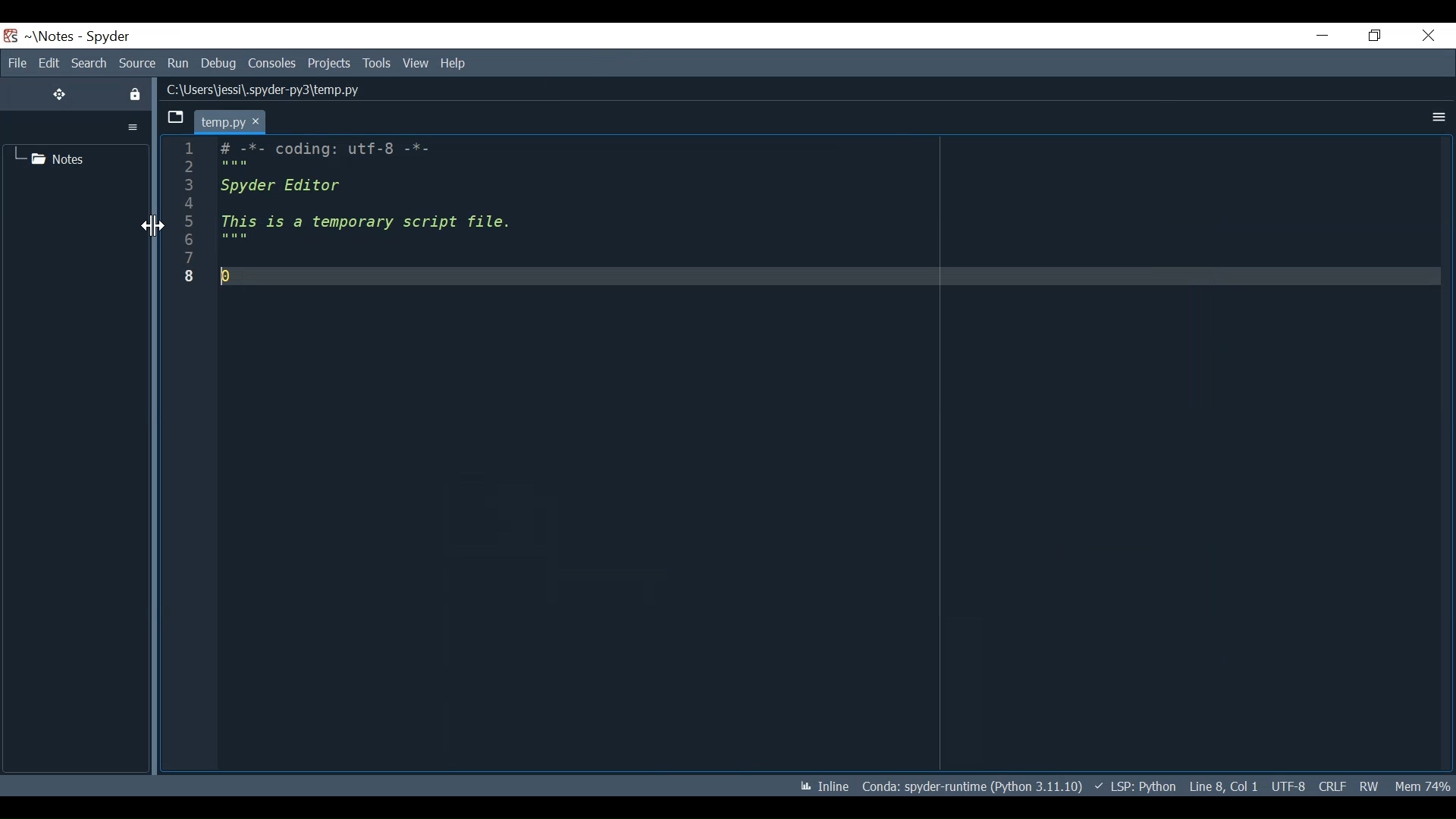  Describe the element at coordinates (1222, 786) in the screenshot. I see `Line 8, Col 1` at that location.